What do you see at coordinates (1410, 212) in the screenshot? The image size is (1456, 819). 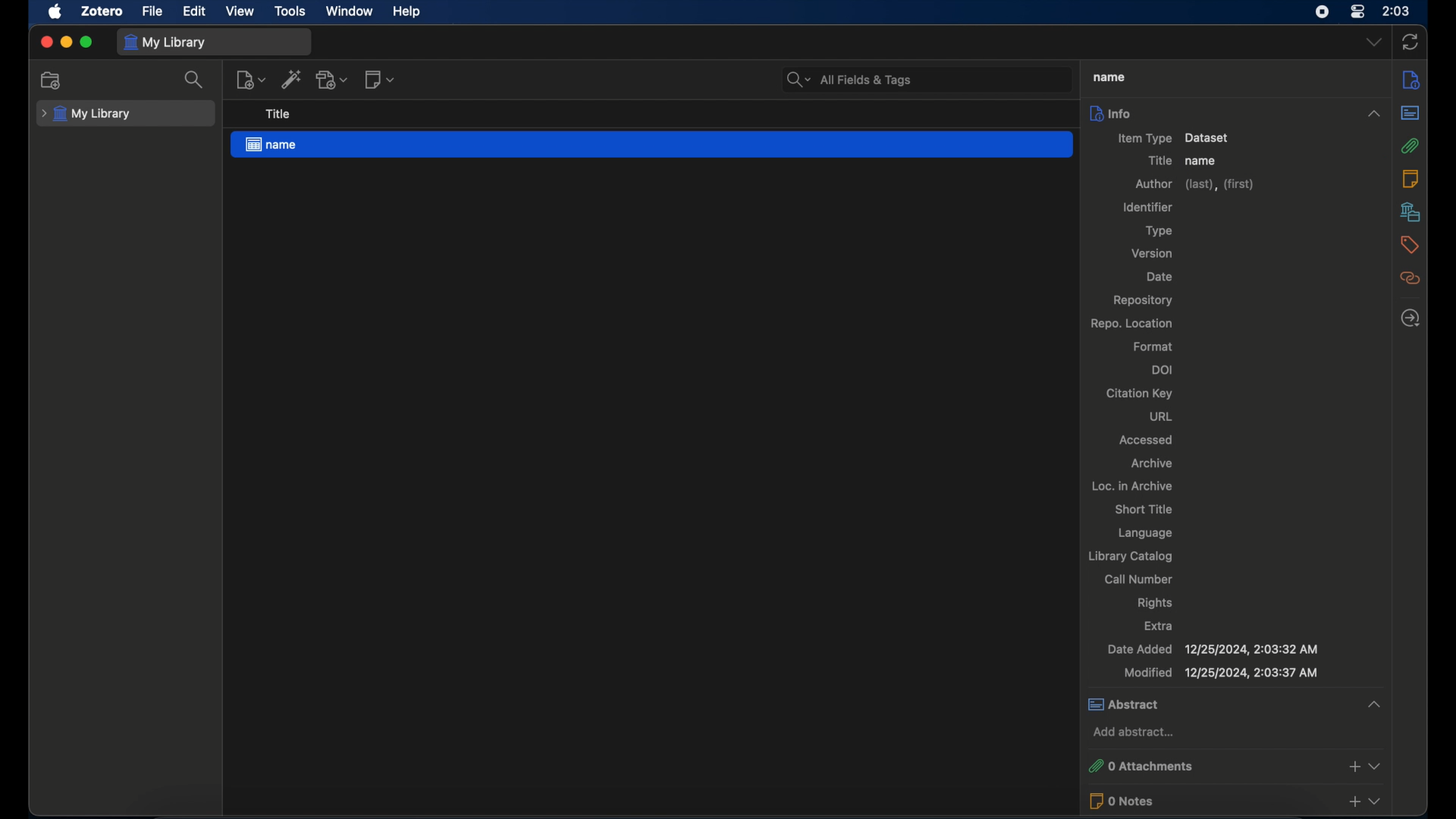 I see `libraries` at bounding box center [1410, 212].